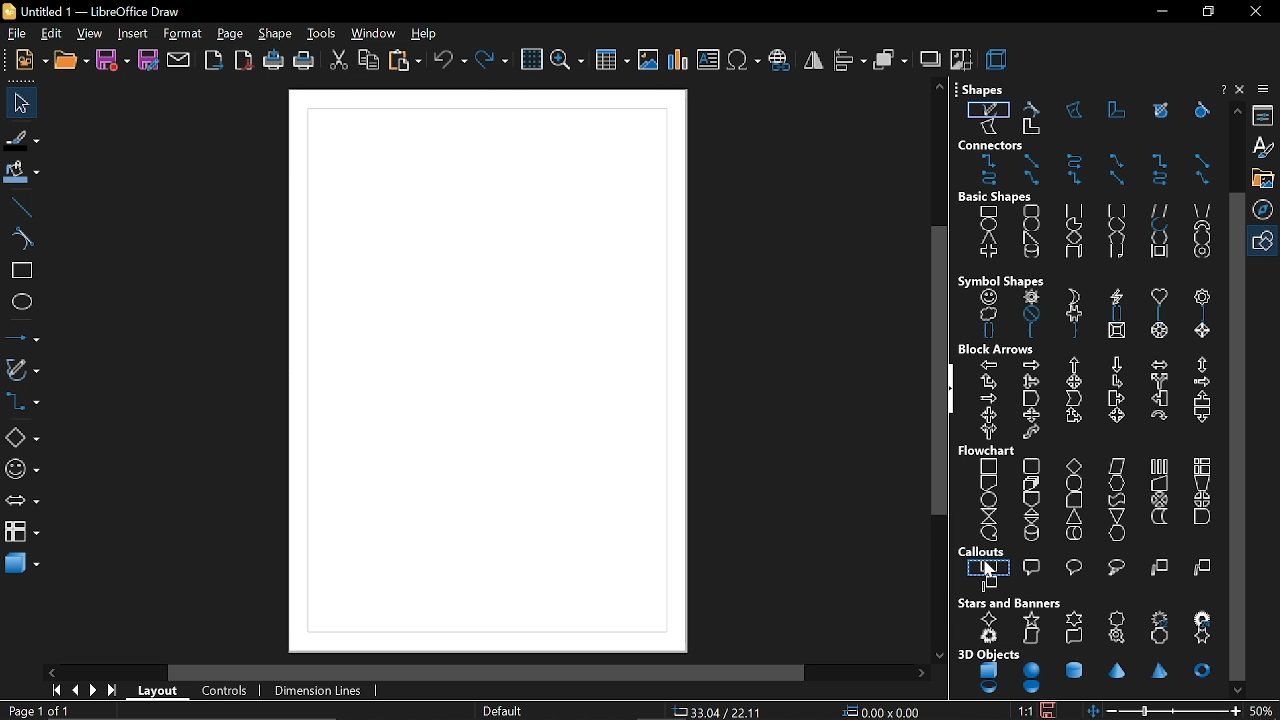 The height and width of the screenshot is (720, 1280). I want to click on trapezoid, so click(1203, 208).